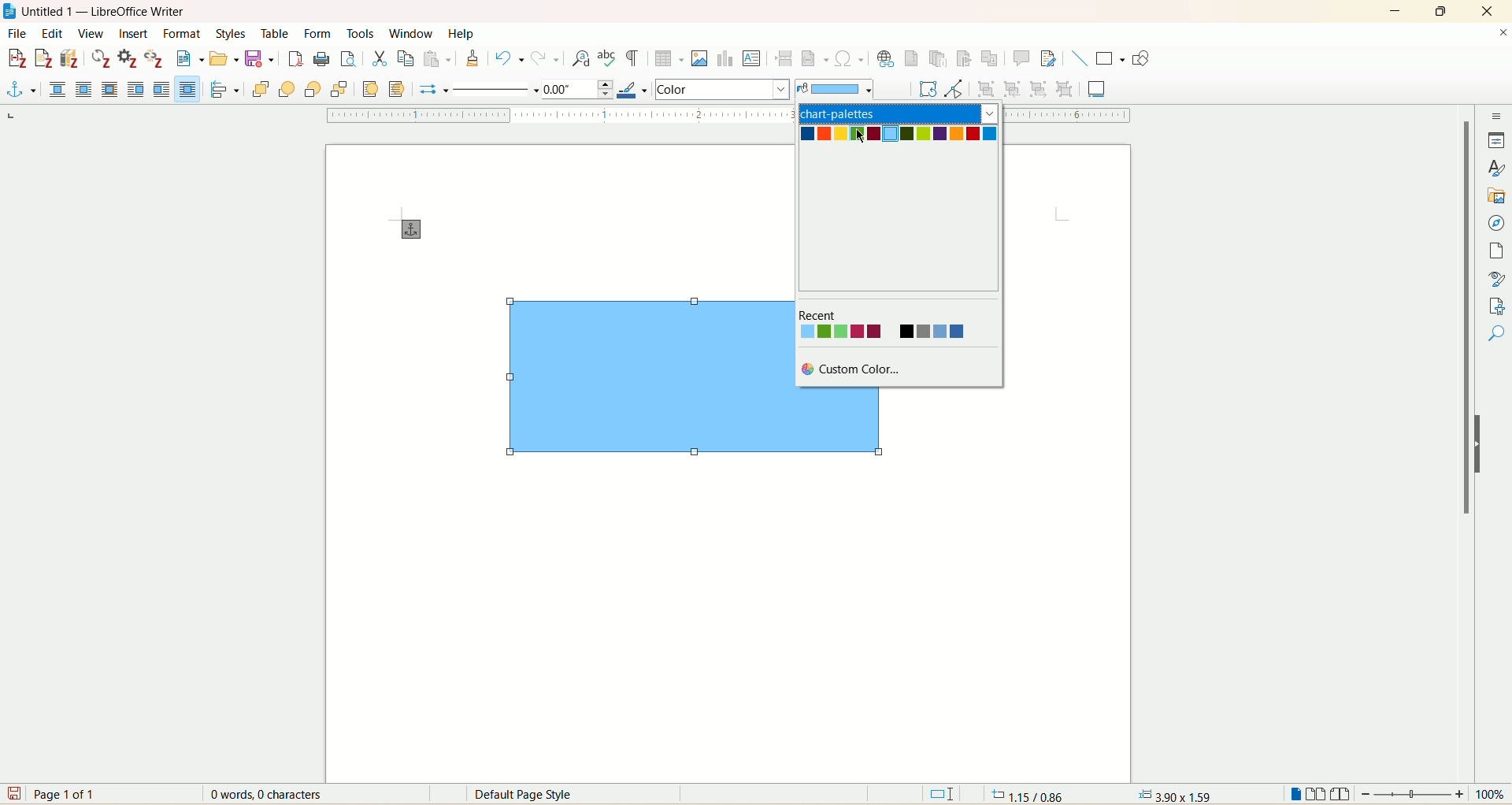 This screenshot has width=1512, height=805. Describe the element at coordinates (1078, 58) in the screenshot. I see `insert line` at that location.